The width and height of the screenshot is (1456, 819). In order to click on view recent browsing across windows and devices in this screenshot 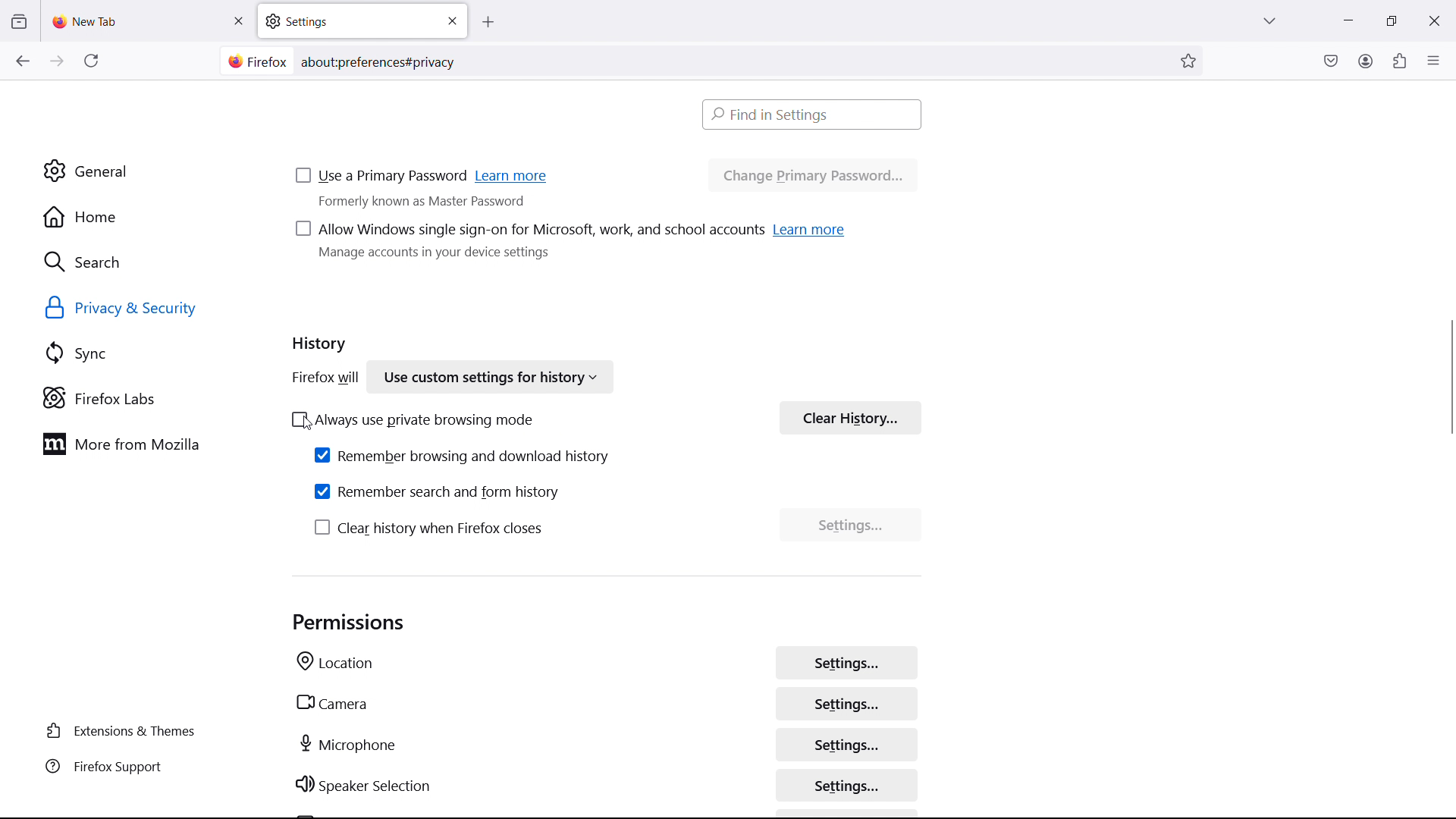, I will do `click(18, 22)`.